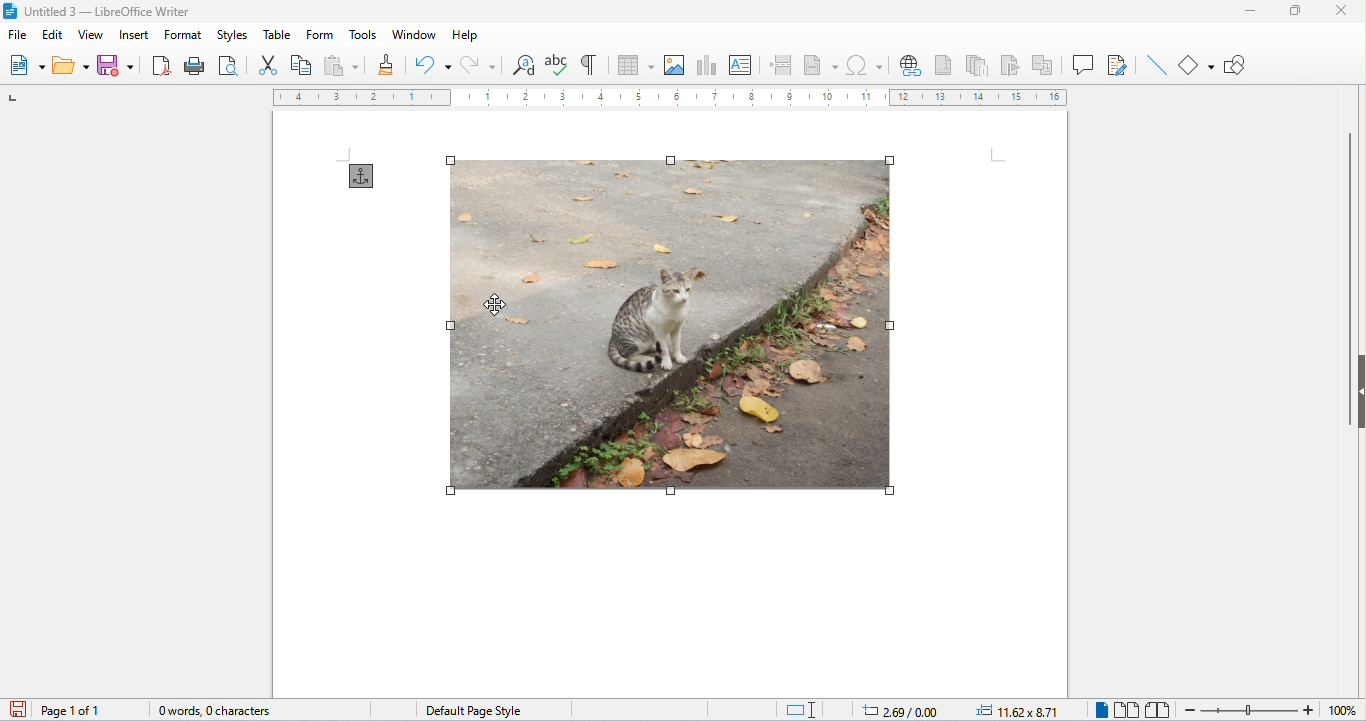  Describe the element at coordinates (302, 66) in the screenshot. I see `copy` at that location.